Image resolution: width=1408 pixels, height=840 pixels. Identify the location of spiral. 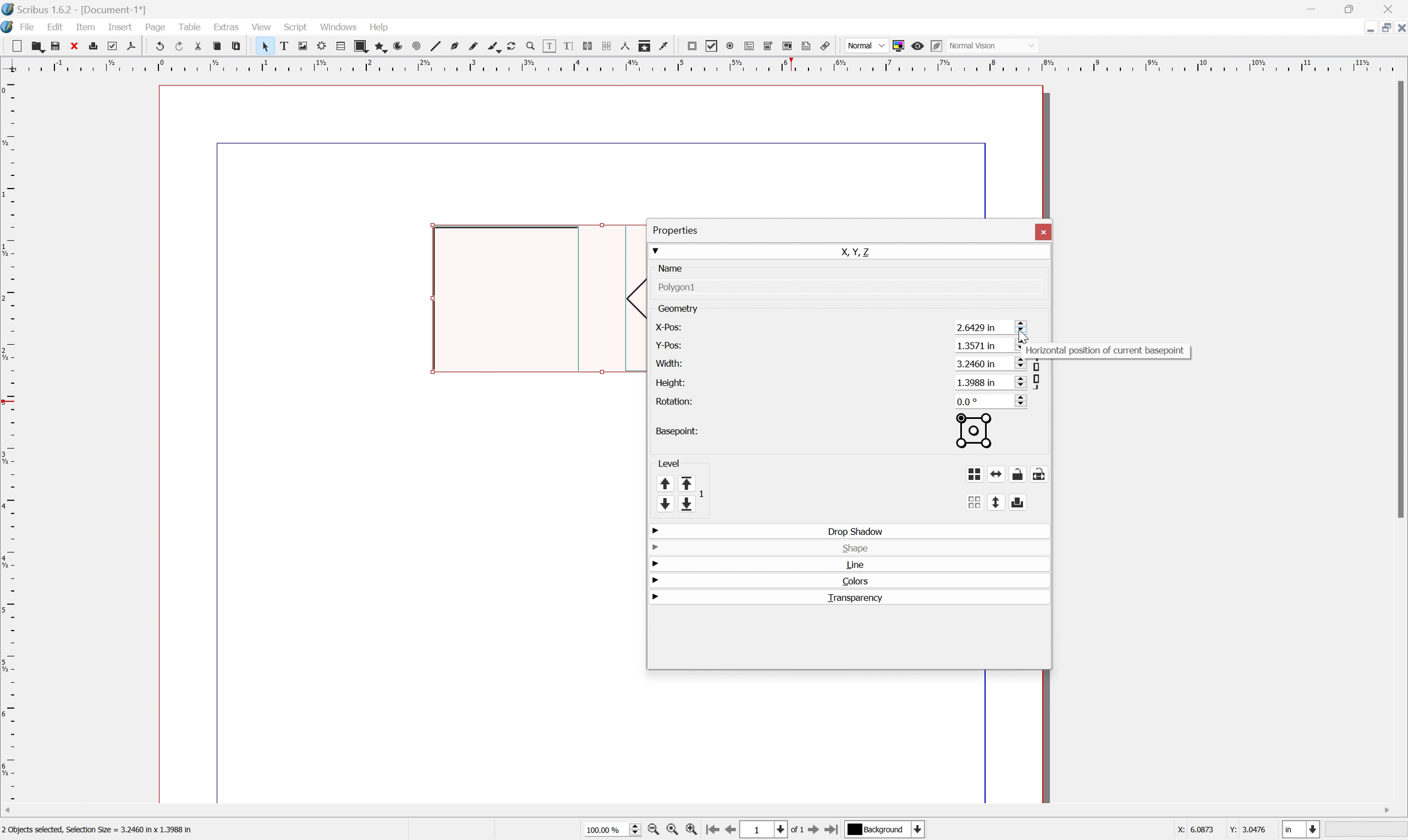
(414, 47).